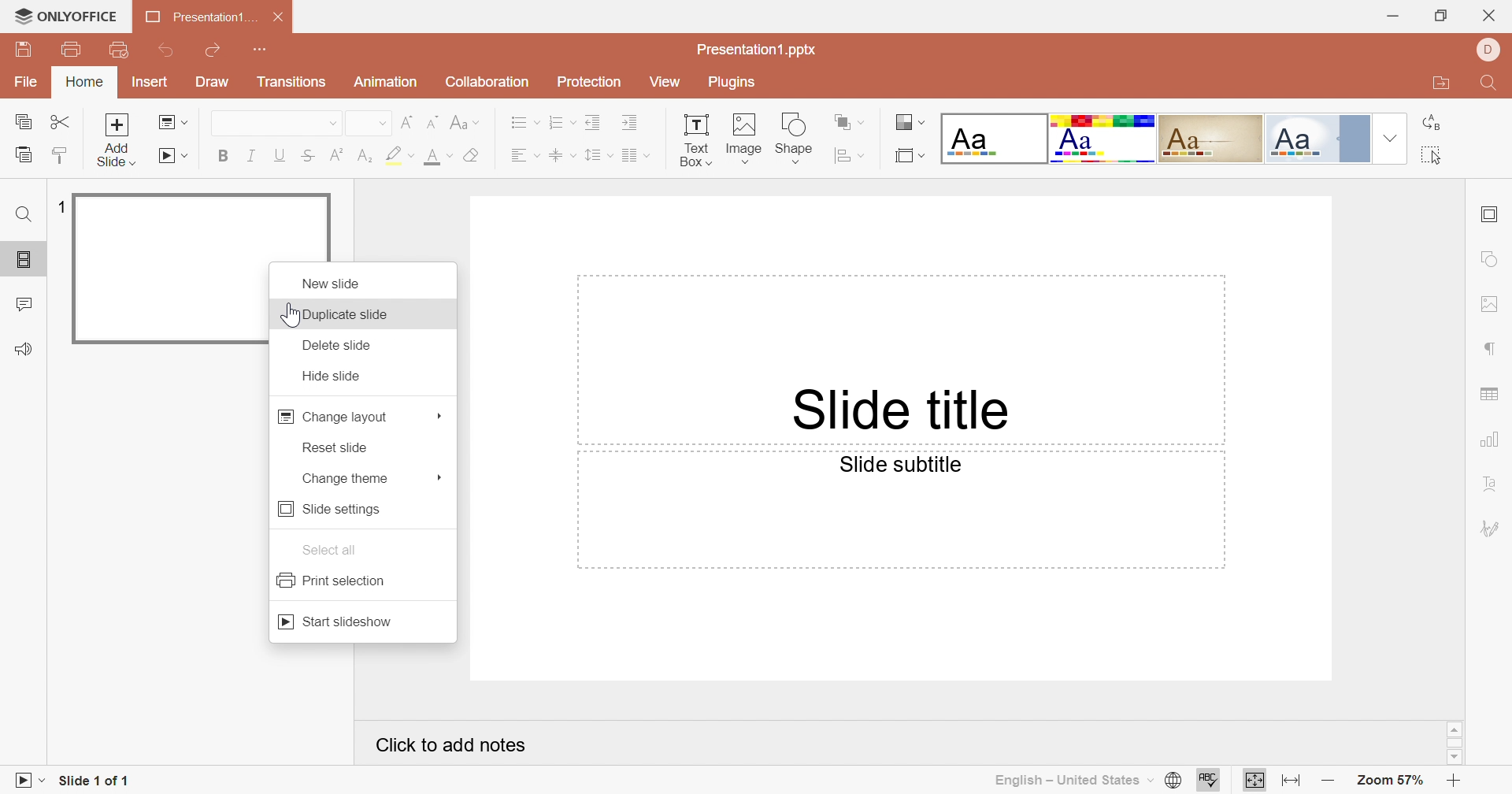 This screenshot has width=1512, height=794. Describe the element at coordinates (1495, 530) in the screenshot. I see `Signature settings` at that location.